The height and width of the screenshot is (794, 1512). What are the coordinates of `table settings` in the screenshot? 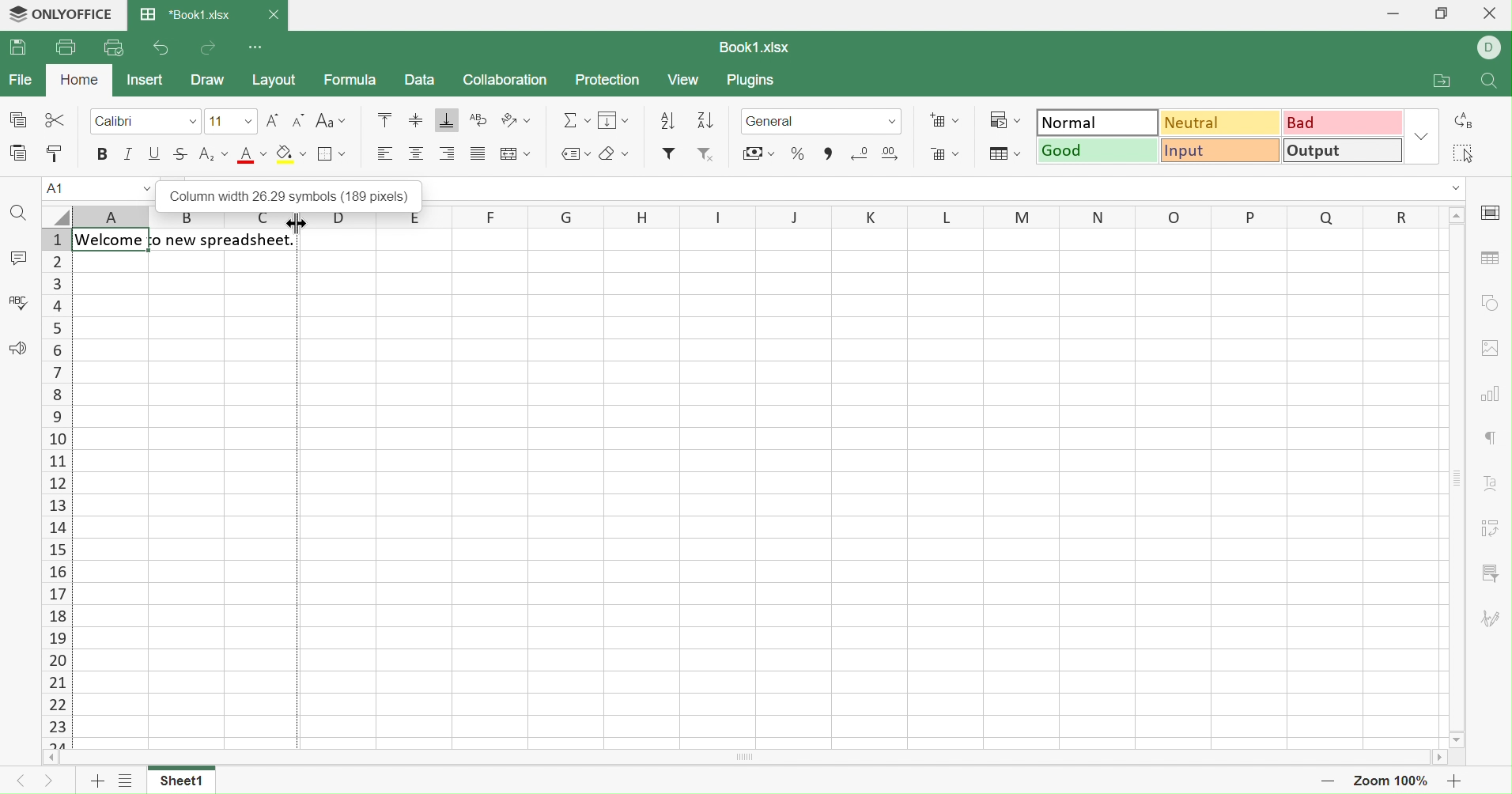 It's located at (1488, 258).